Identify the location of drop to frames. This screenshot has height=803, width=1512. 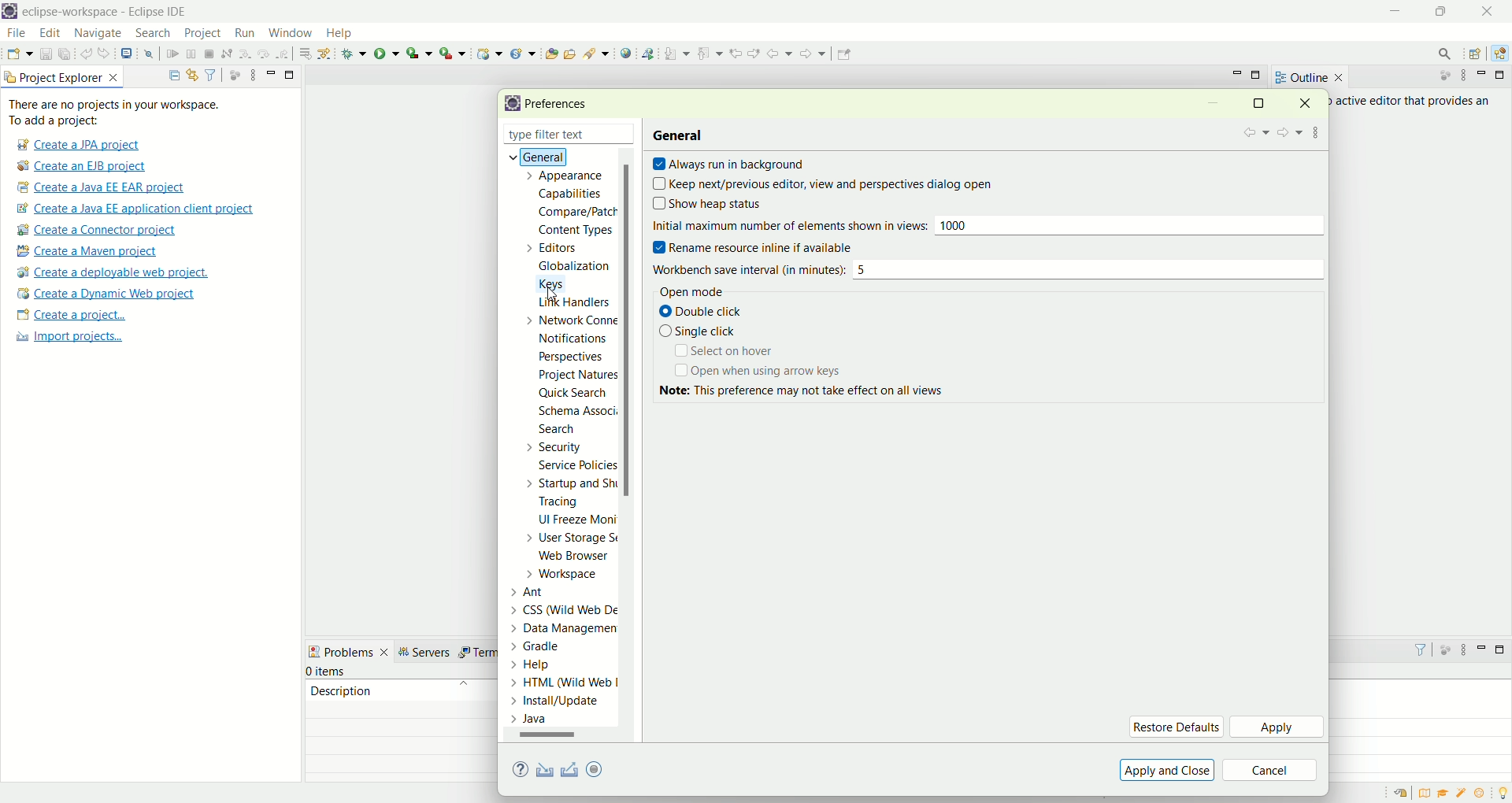
(306, 54).